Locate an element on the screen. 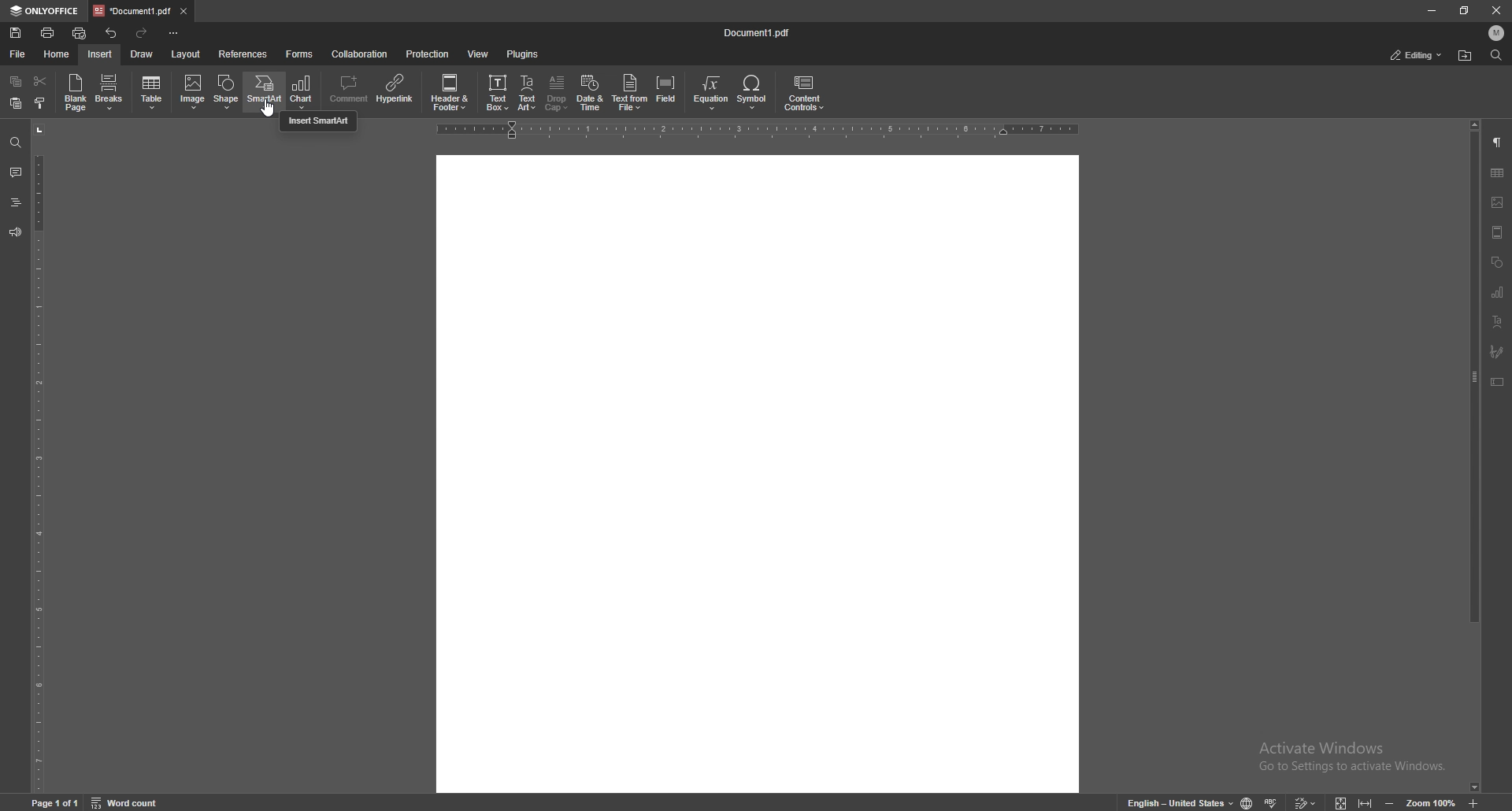  file name is located at coordinates (759, 32).